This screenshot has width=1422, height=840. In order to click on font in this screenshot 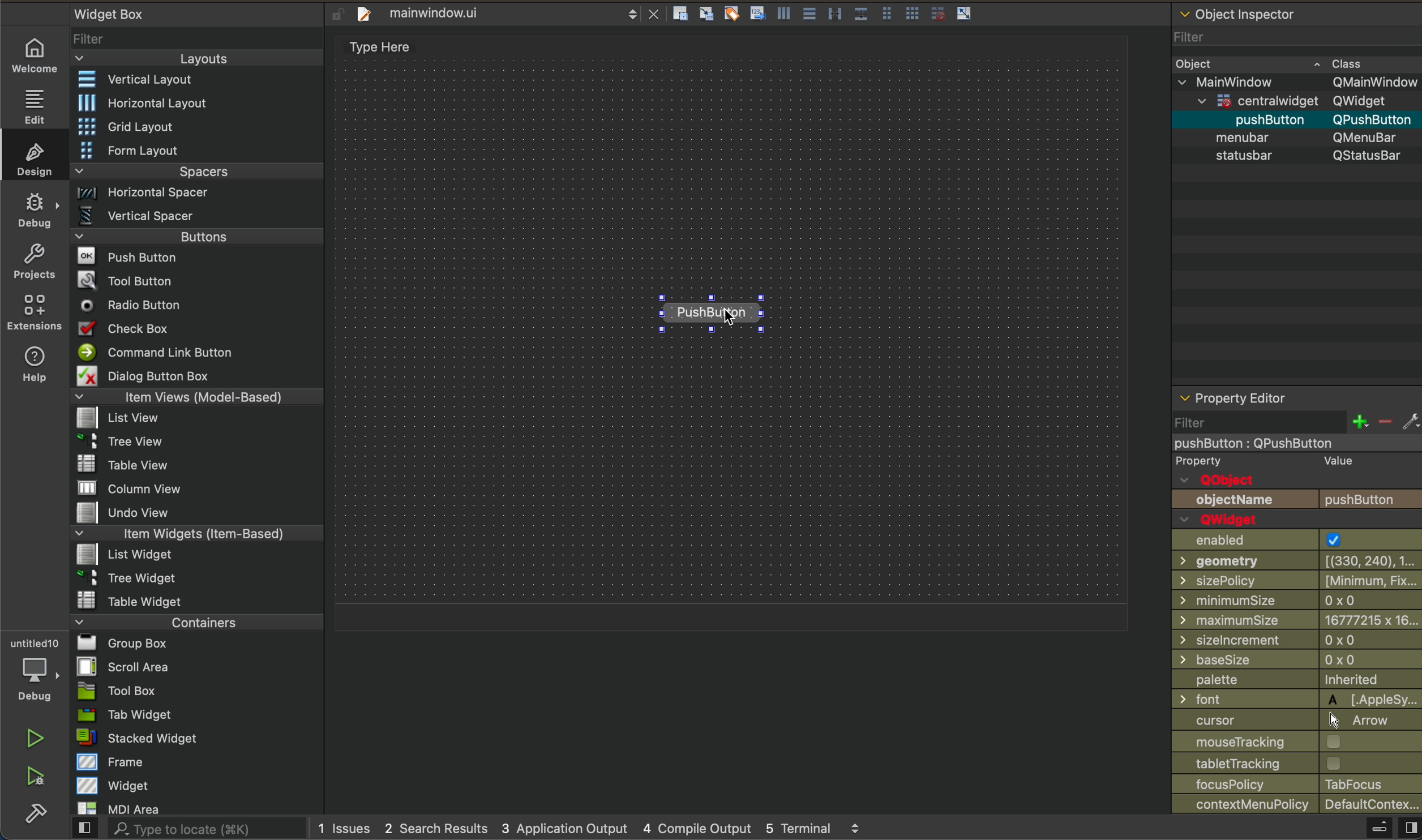, I will do `click(1297, 699)`.